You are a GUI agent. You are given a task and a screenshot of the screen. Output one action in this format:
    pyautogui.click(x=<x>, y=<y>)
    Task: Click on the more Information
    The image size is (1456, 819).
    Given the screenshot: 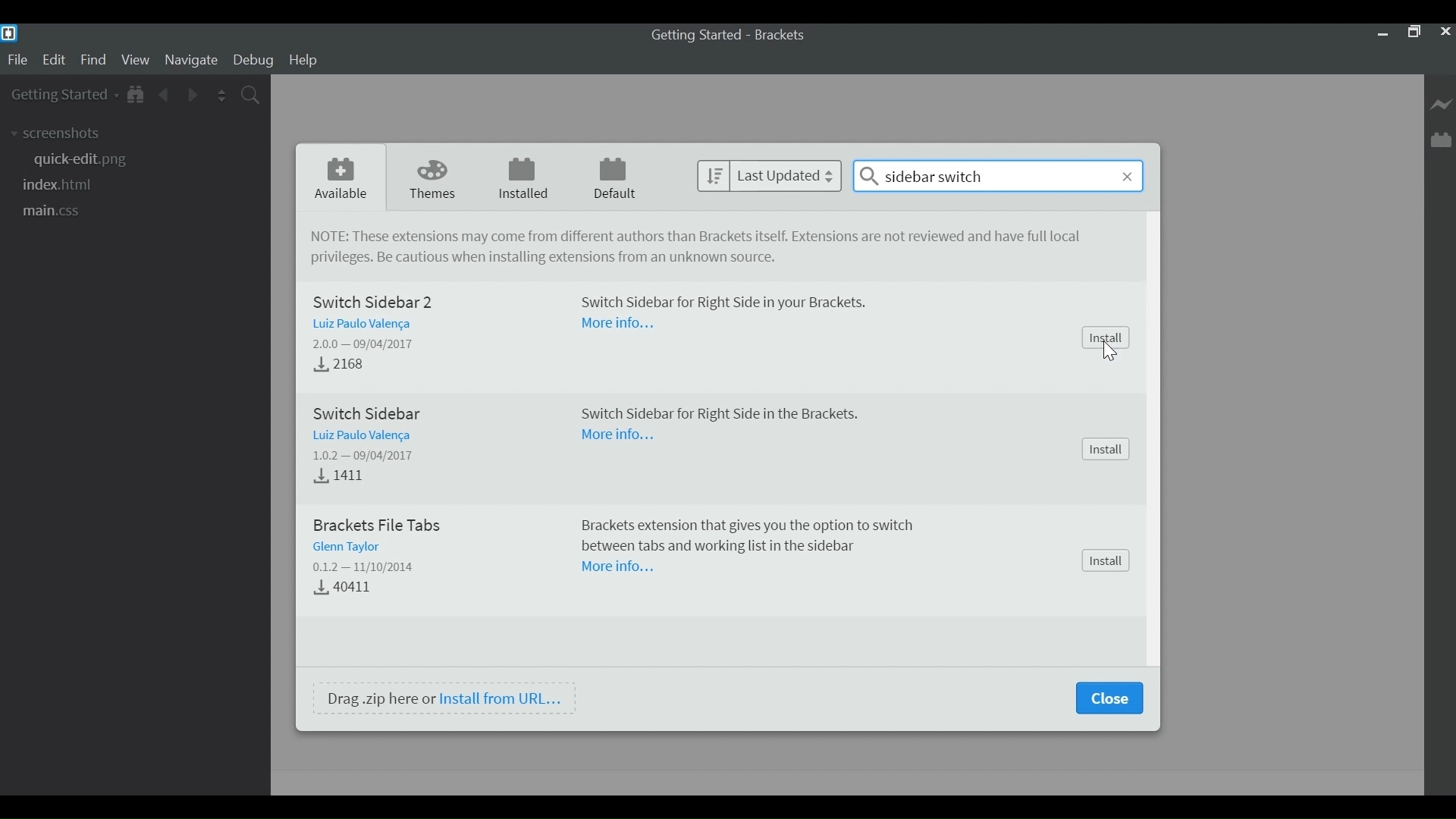 What is the action you would take?
    pyautogui.click(x=616, y=568)
    